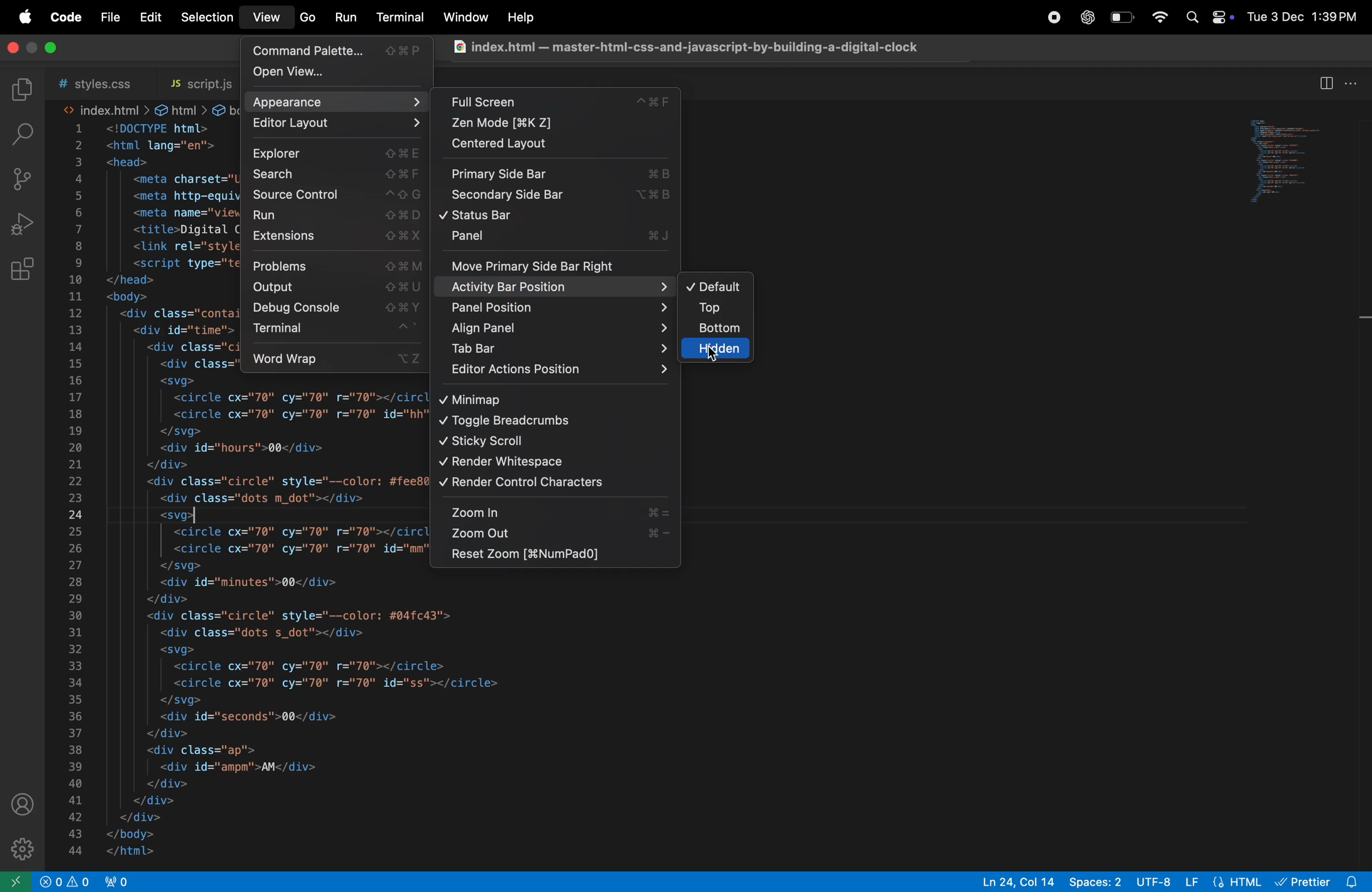 Image resolution: width=1372 pixels, height=892 pixels. Describe the element at coordinates (557, 175) in the screenshot. I see `primary side bar` at that location.